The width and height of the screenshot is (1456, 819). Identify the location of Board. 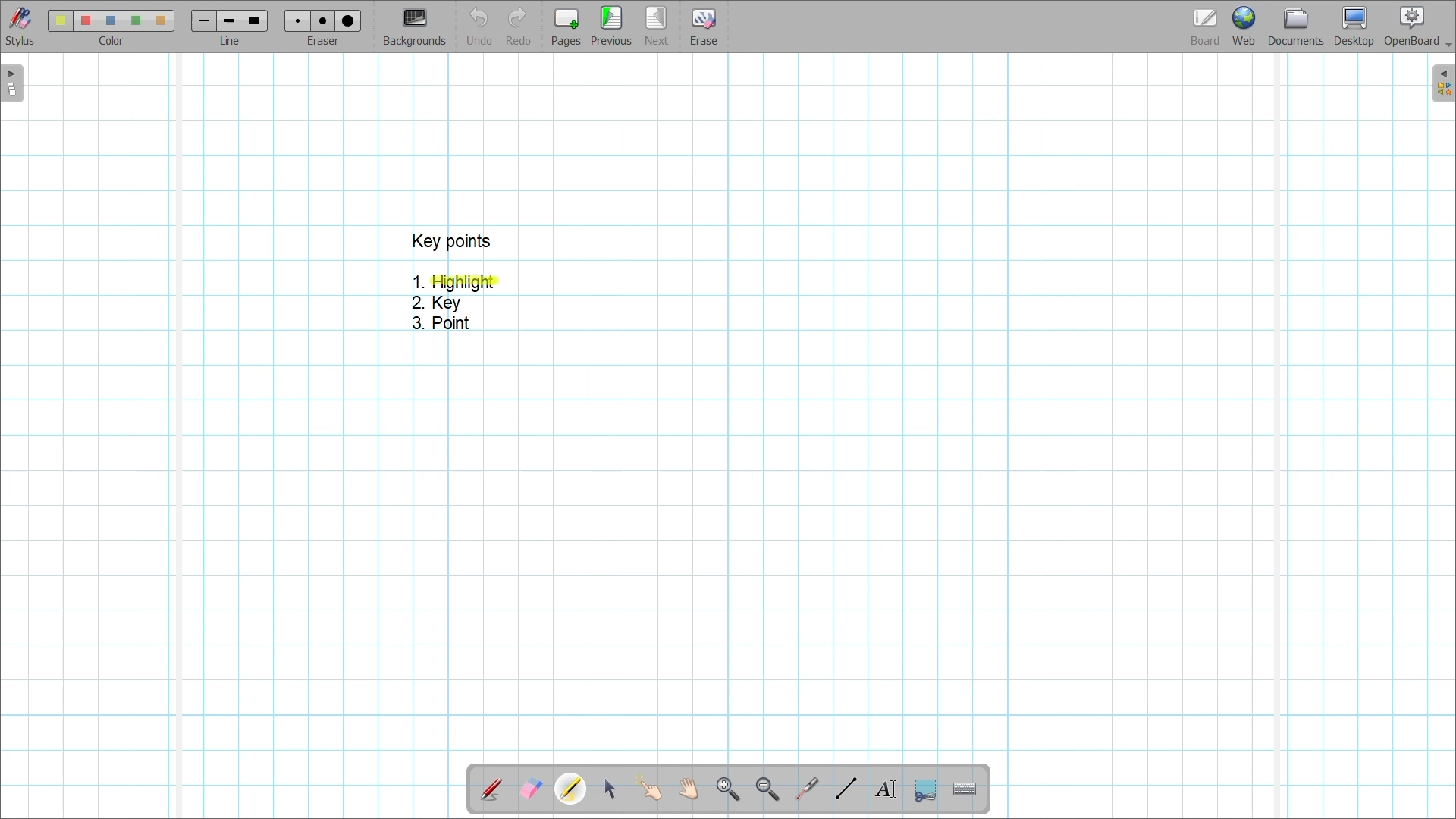
(1206, 27).